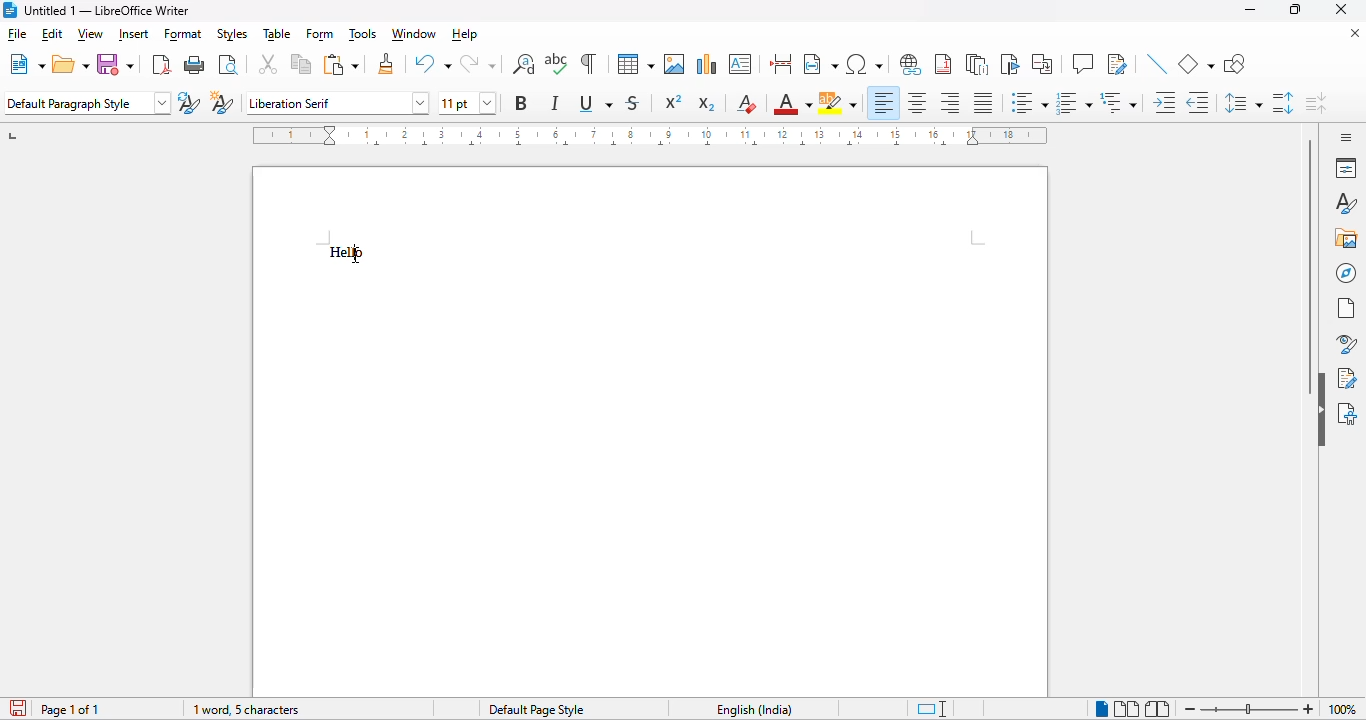 This screenshot has width=1366, height=720. What do you see at coordinates (673, 103) in the screenshot?
I see `superscript` at bounding box center [673, 103].